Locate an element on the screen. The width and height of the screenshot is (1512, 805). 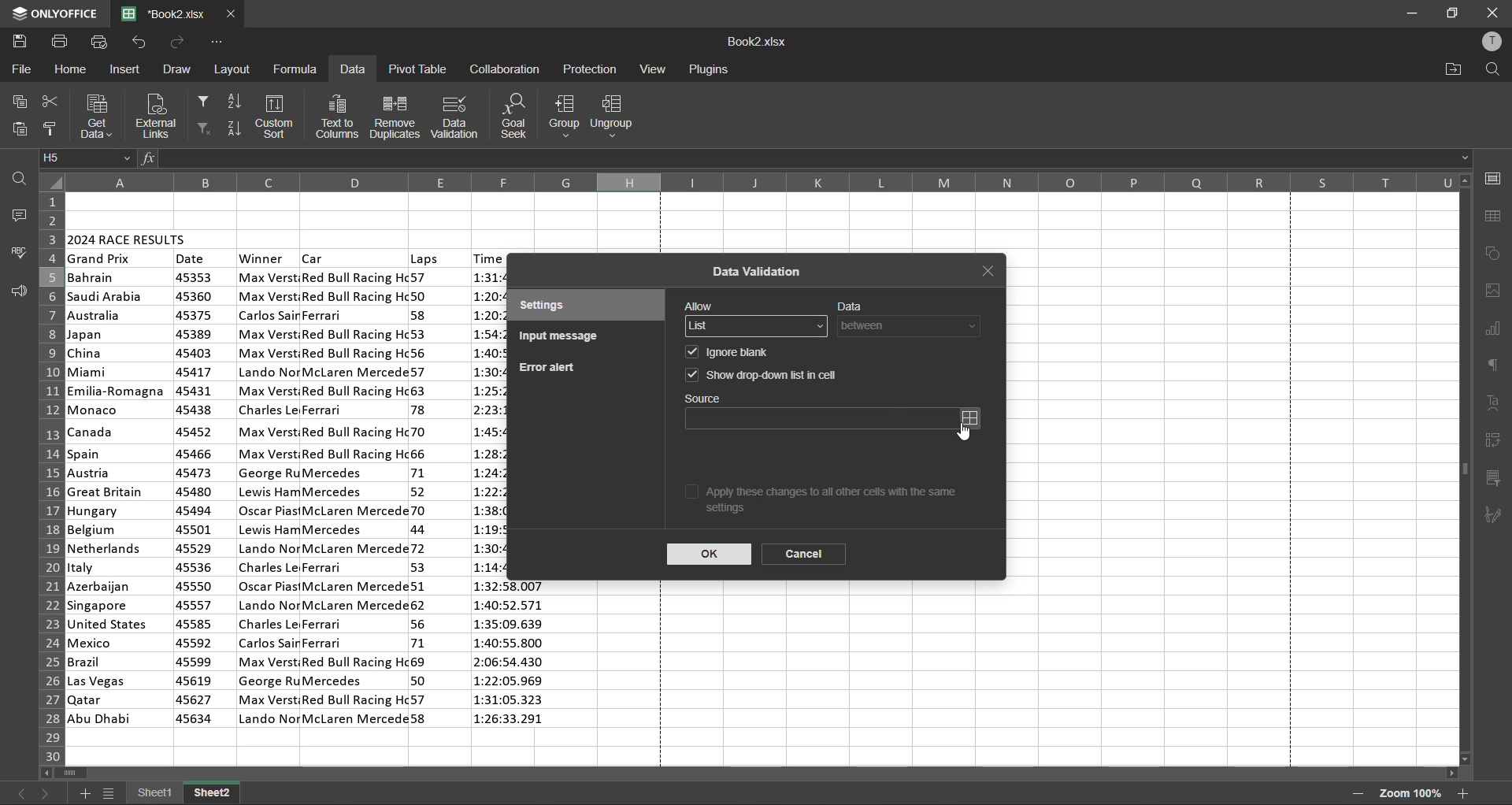
allow is located at coordinates (699, 305).